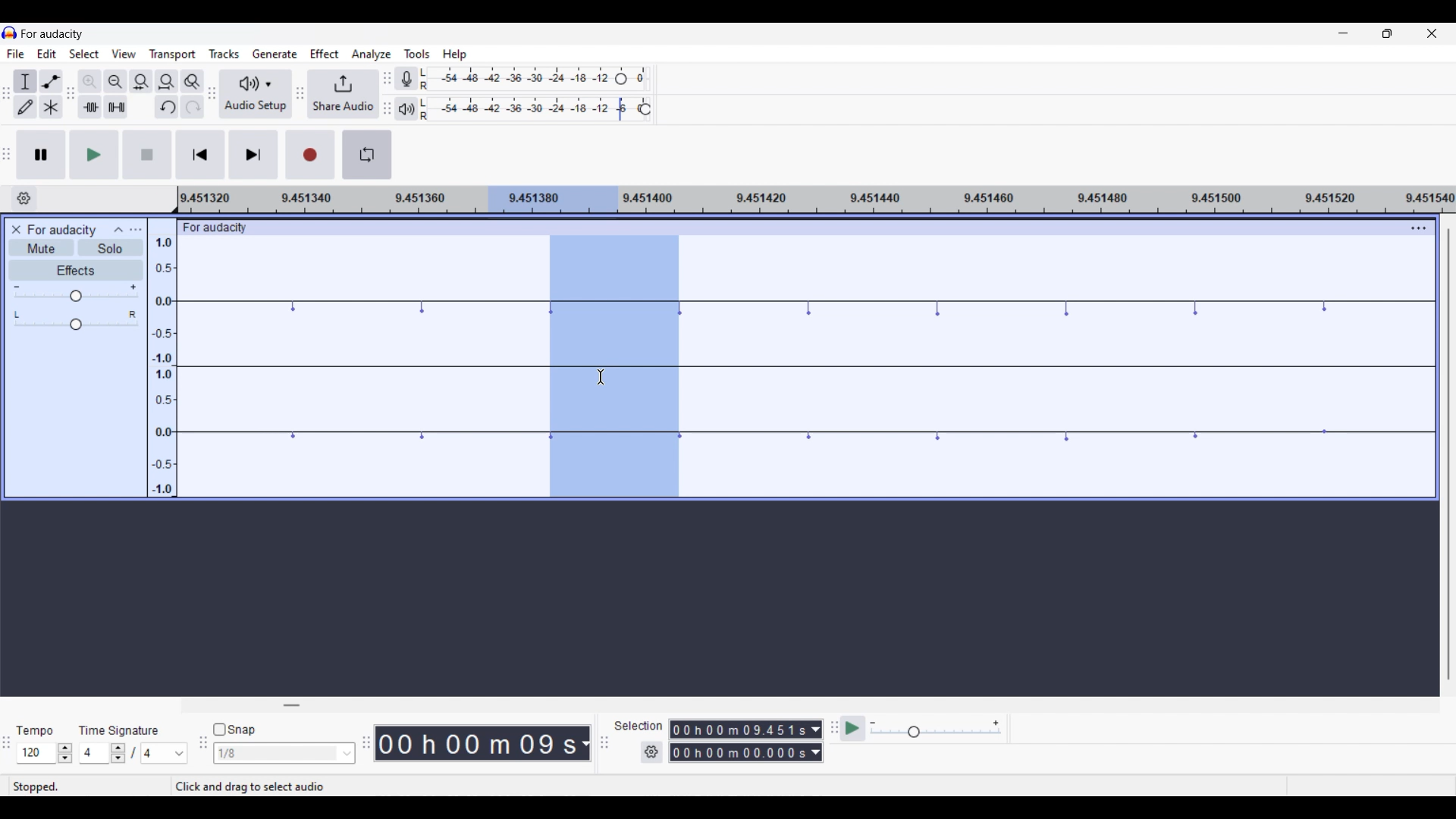  Describe the element at coordinates (26, 81) in the screenshot. I see `Selection tool` at that location.